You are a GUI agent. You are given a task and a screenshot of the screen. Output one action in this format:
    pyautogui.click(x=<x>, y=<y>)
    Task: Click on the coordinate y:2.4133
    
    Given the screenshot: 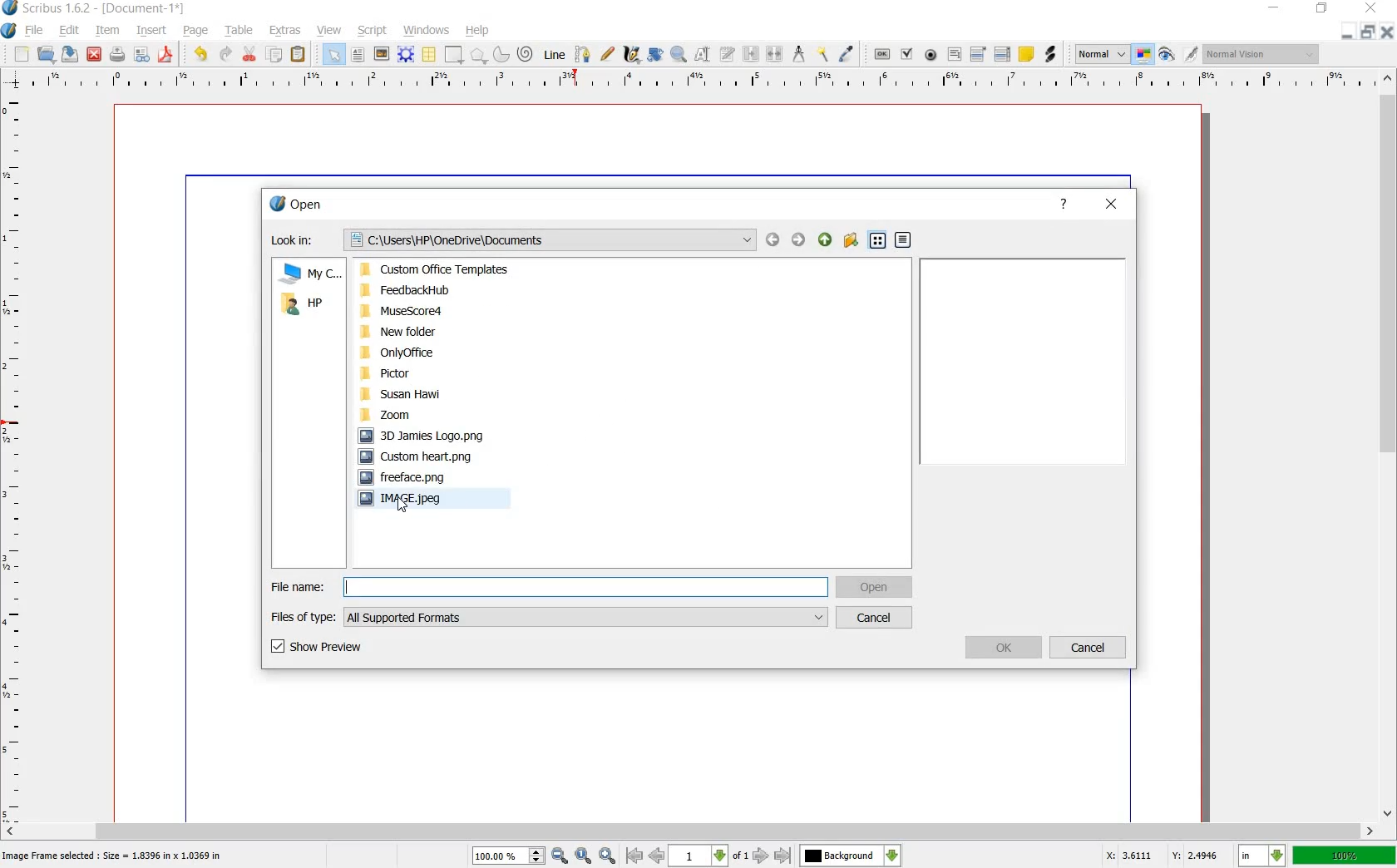 What is the action you would take?
    pyautogui.click(x=1199, y=854)
    